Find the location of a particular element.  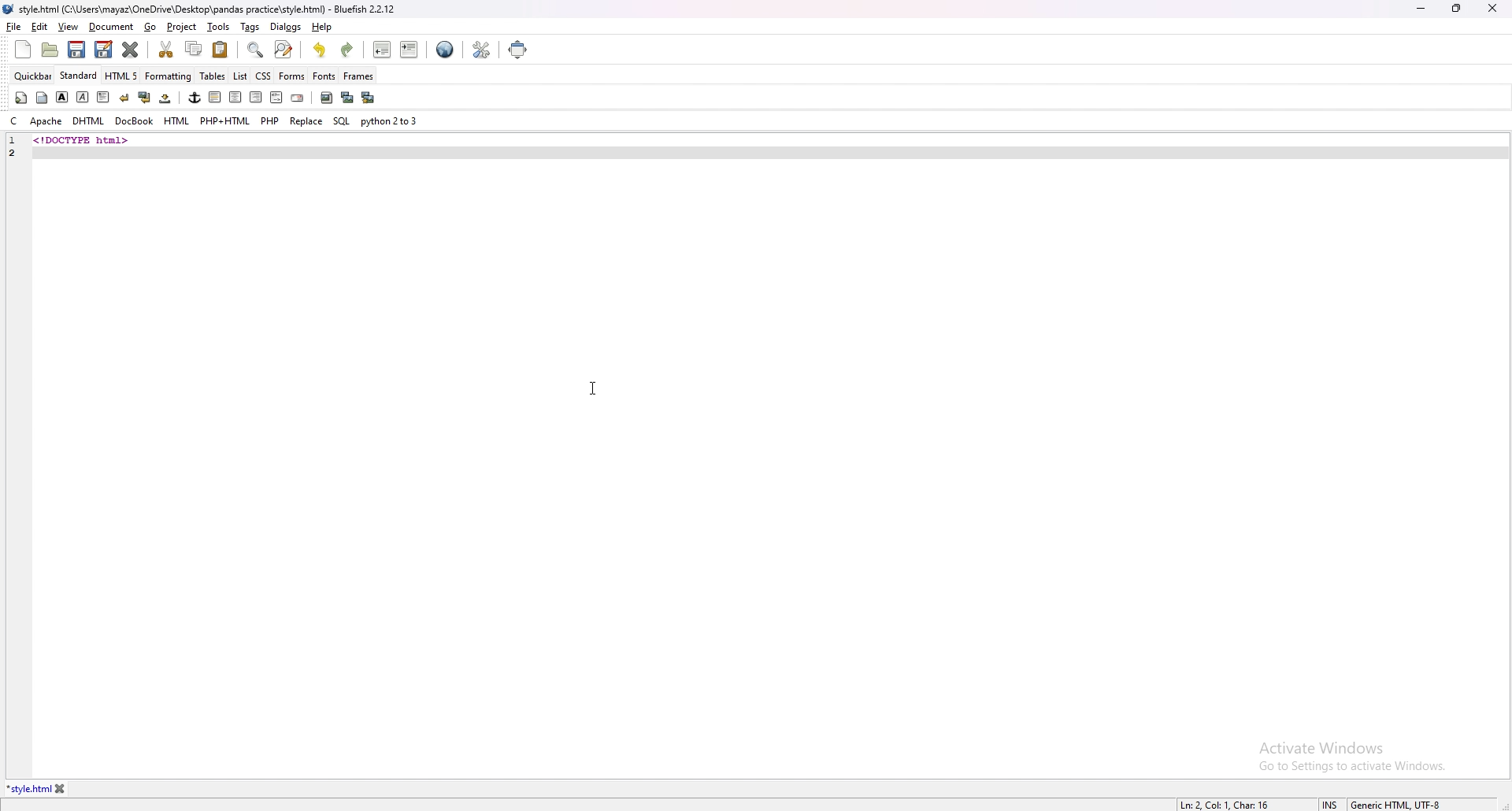

code is located at coordinates (128, 139).